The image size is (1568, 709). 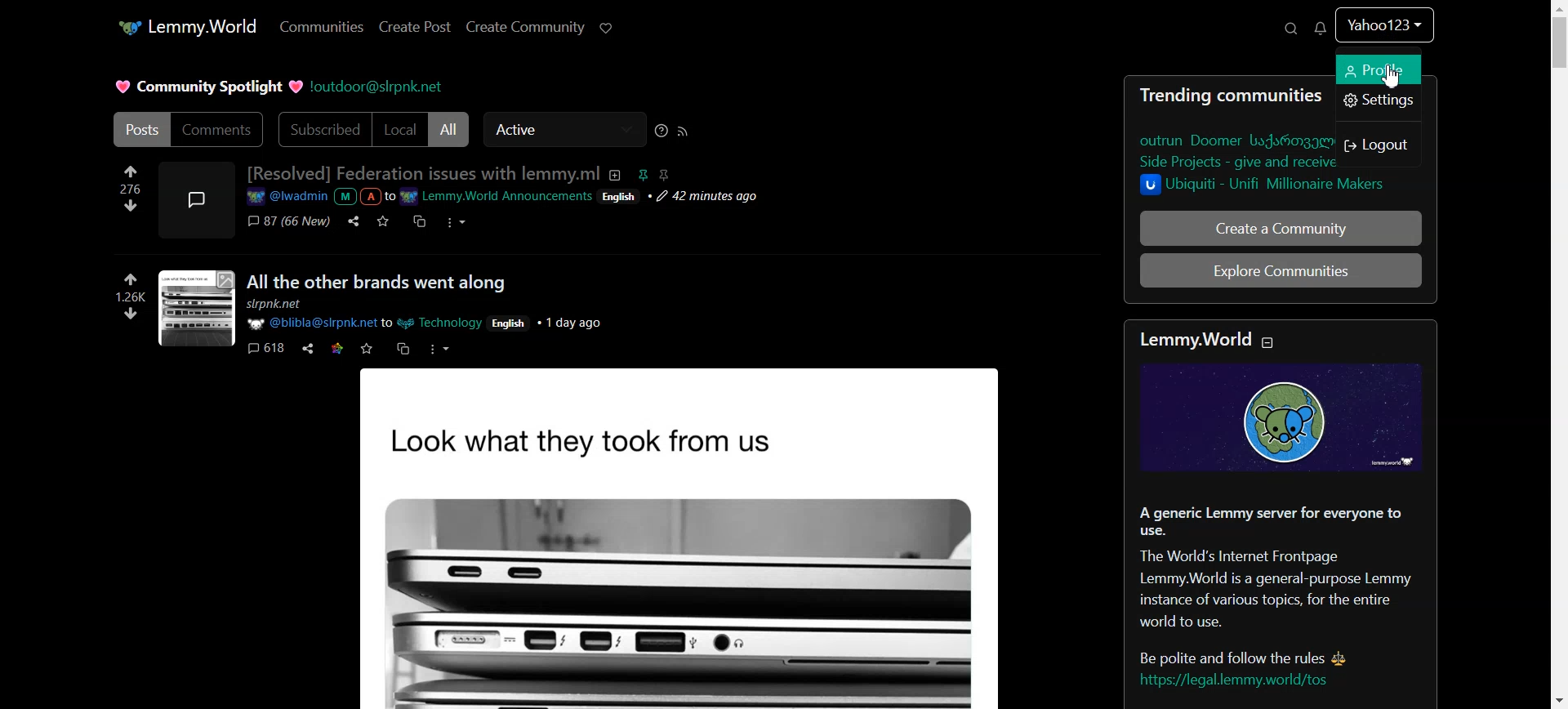 I want to click on more actions, so click(x=457, y=223).